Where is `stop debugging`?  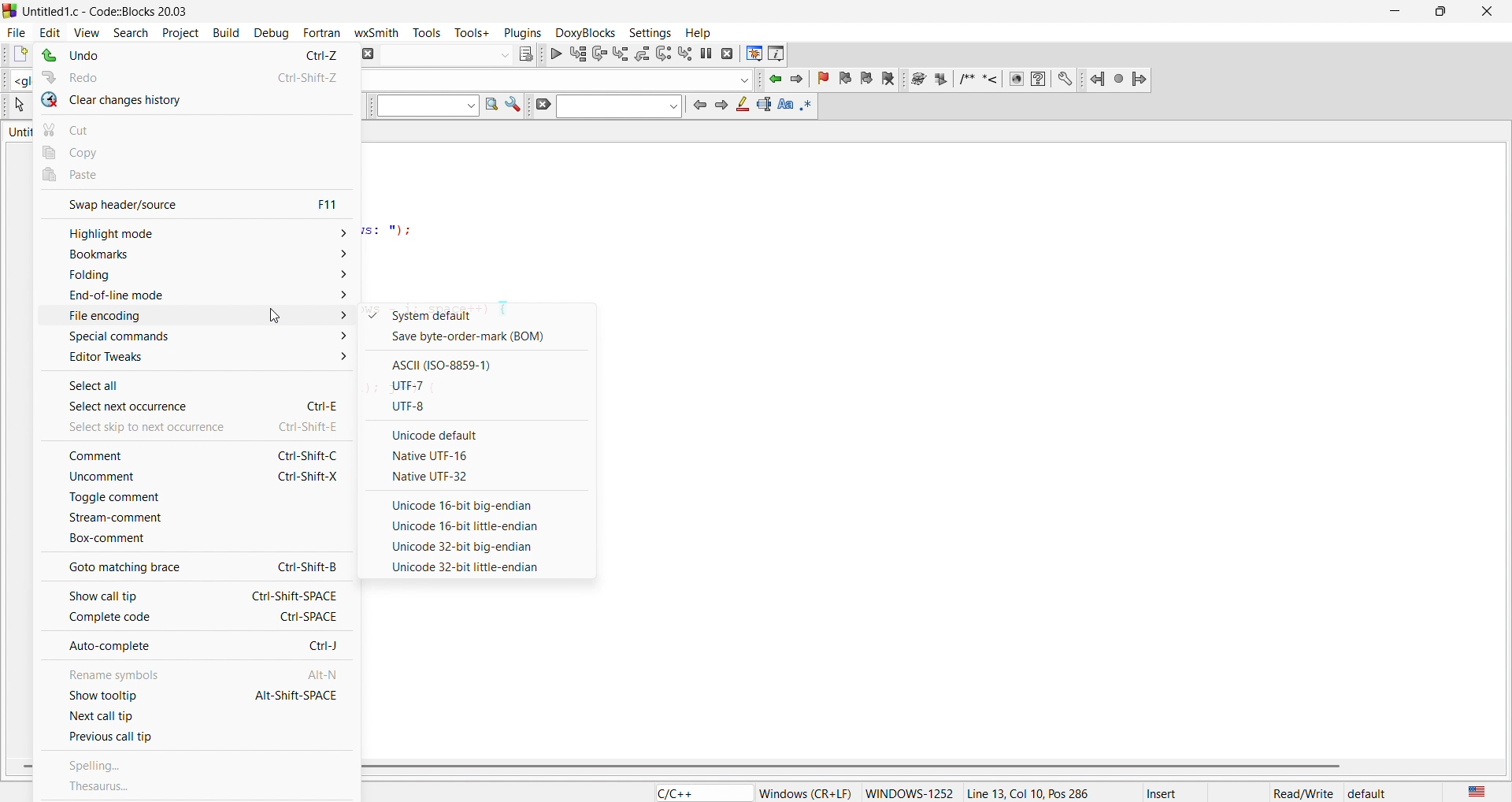
stop debugging is located at coordinates (727, 53).